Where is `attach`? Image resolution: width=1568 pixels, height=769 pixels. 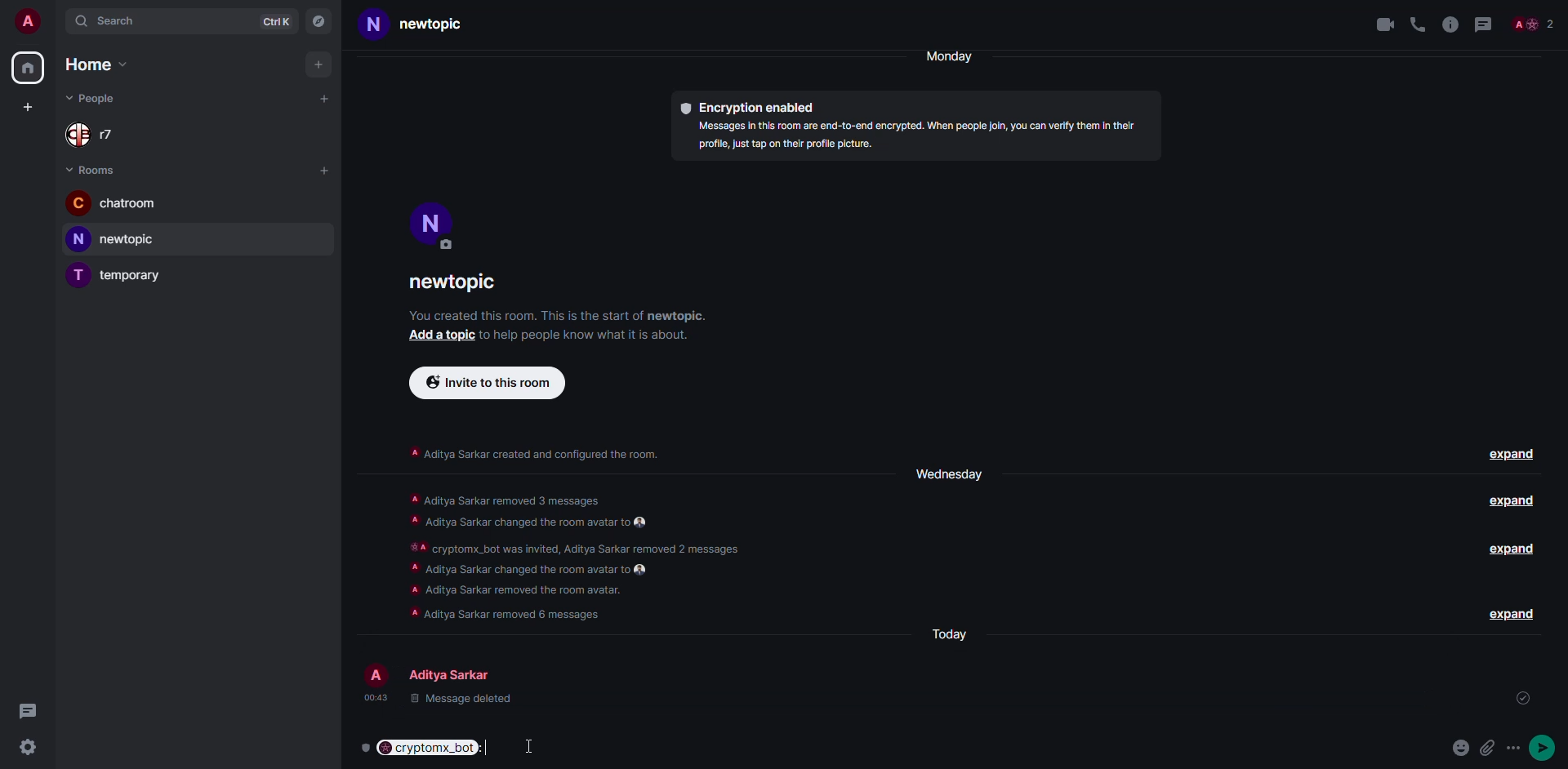 attach is located at coordinates (1490, 748).